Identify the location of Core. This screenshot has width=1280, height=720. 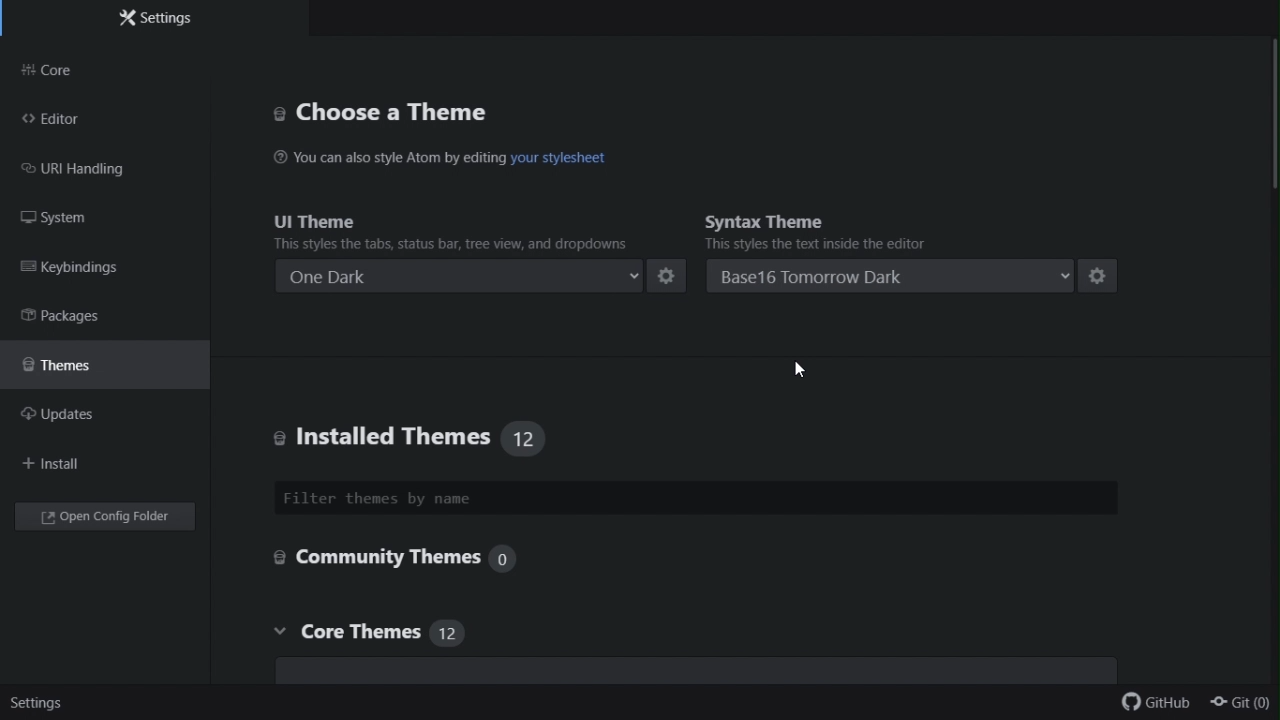
(60, 66).